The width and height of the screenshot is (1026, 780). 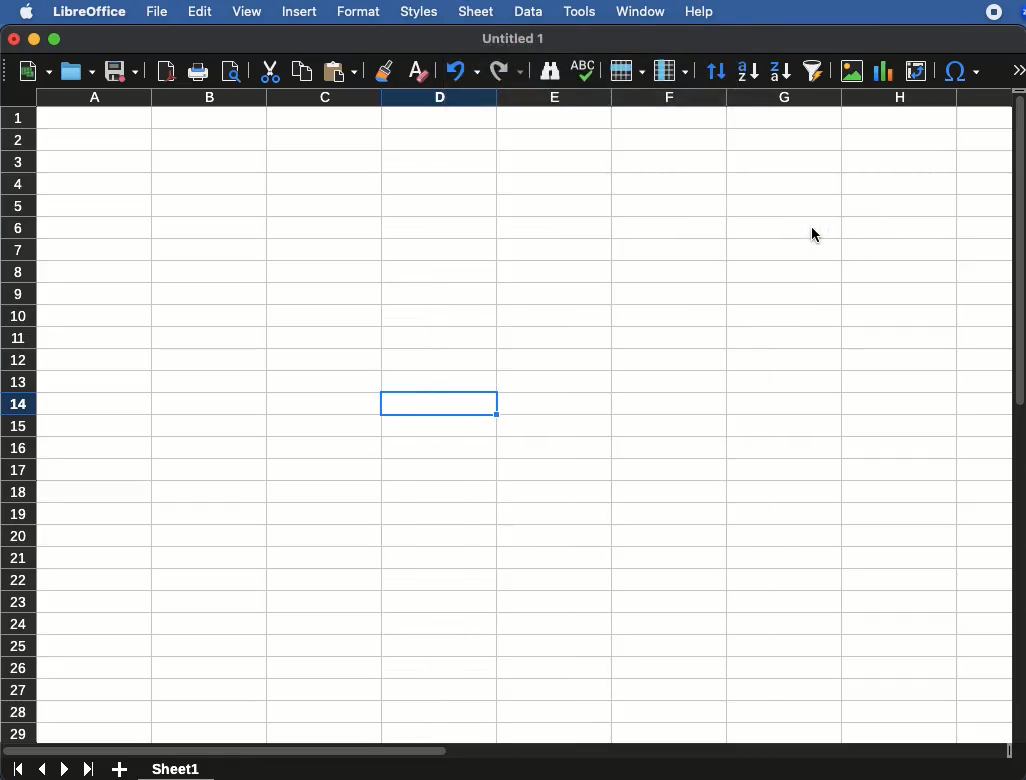 What do you see at coordinates (302, 70) in the screenshot?
I see `copy` at bounding box center [302, 70].